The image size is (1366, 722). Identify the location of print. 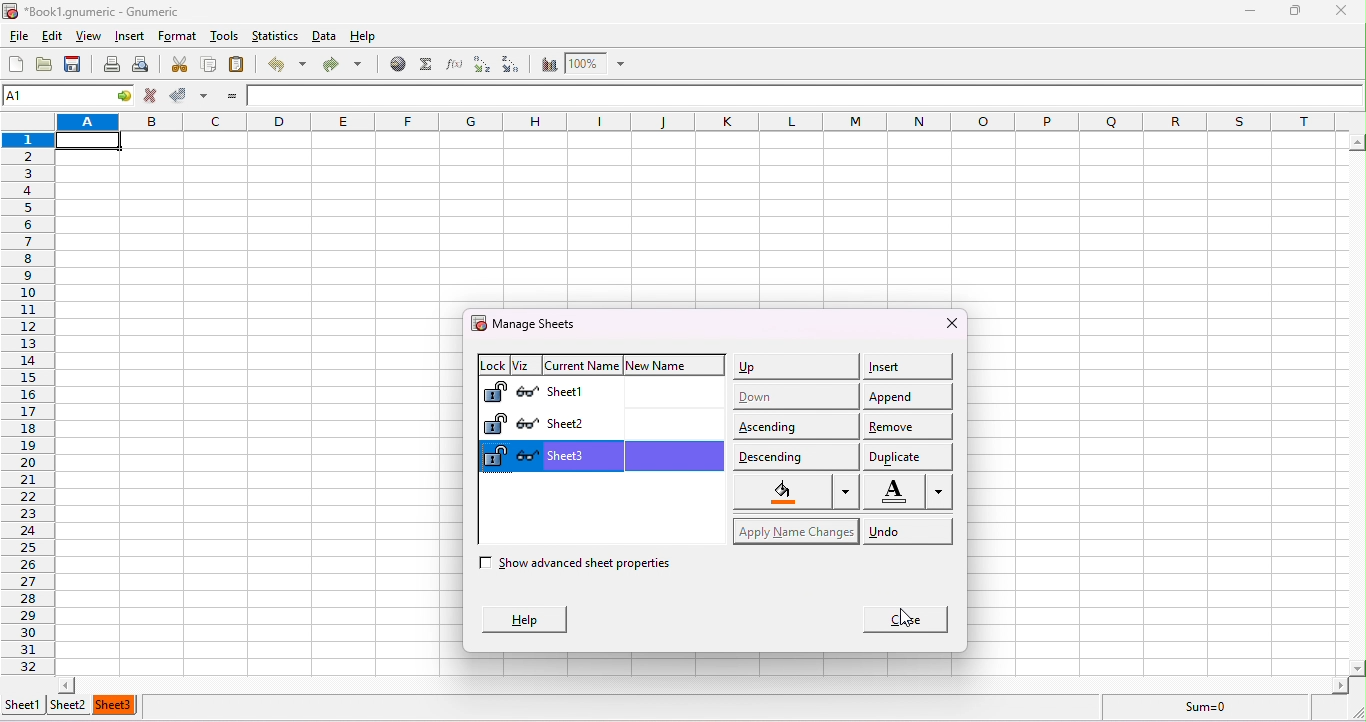
(112, 66).